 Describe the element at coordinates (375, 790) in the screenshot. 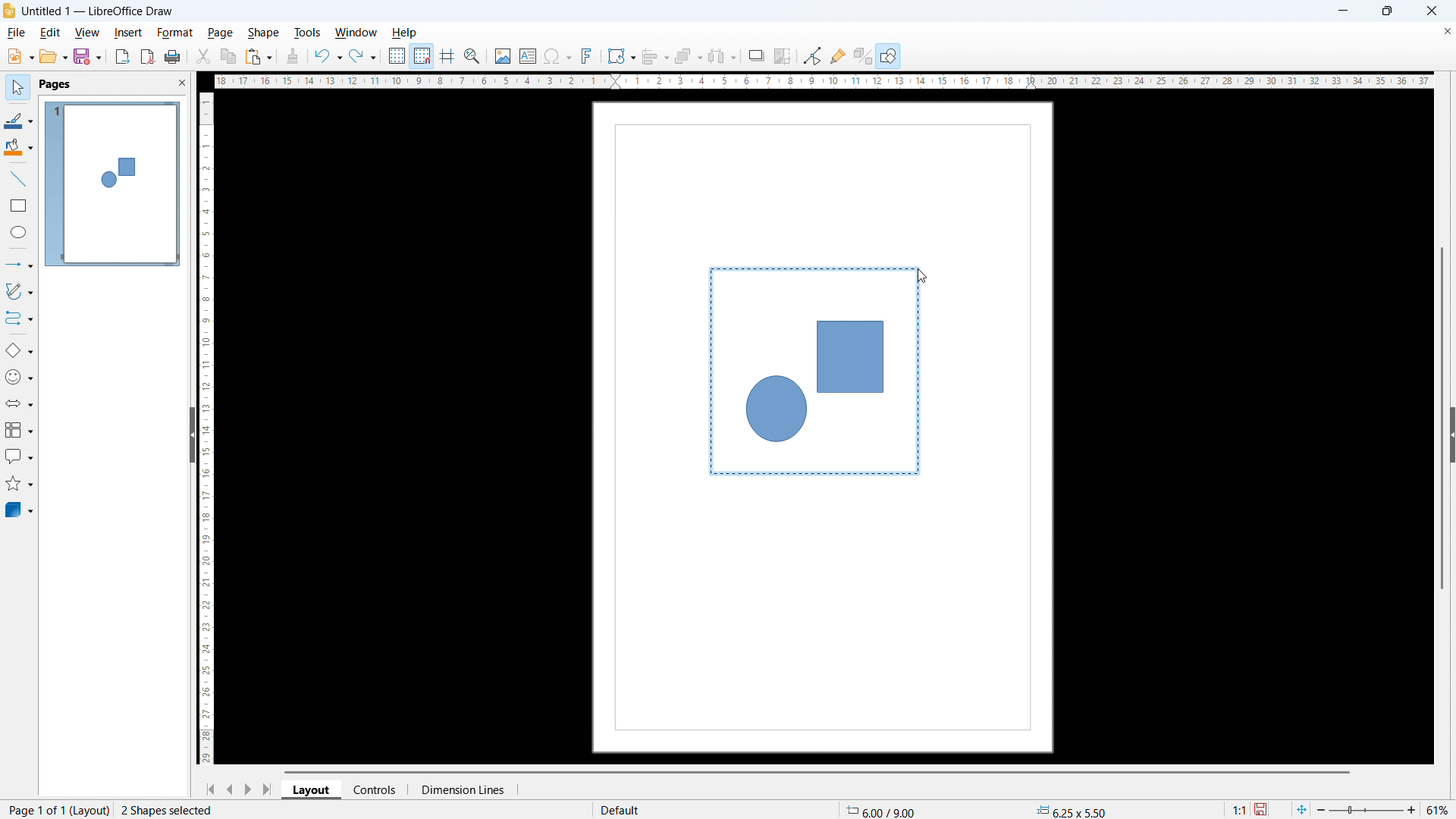

I see `controls` at that location.